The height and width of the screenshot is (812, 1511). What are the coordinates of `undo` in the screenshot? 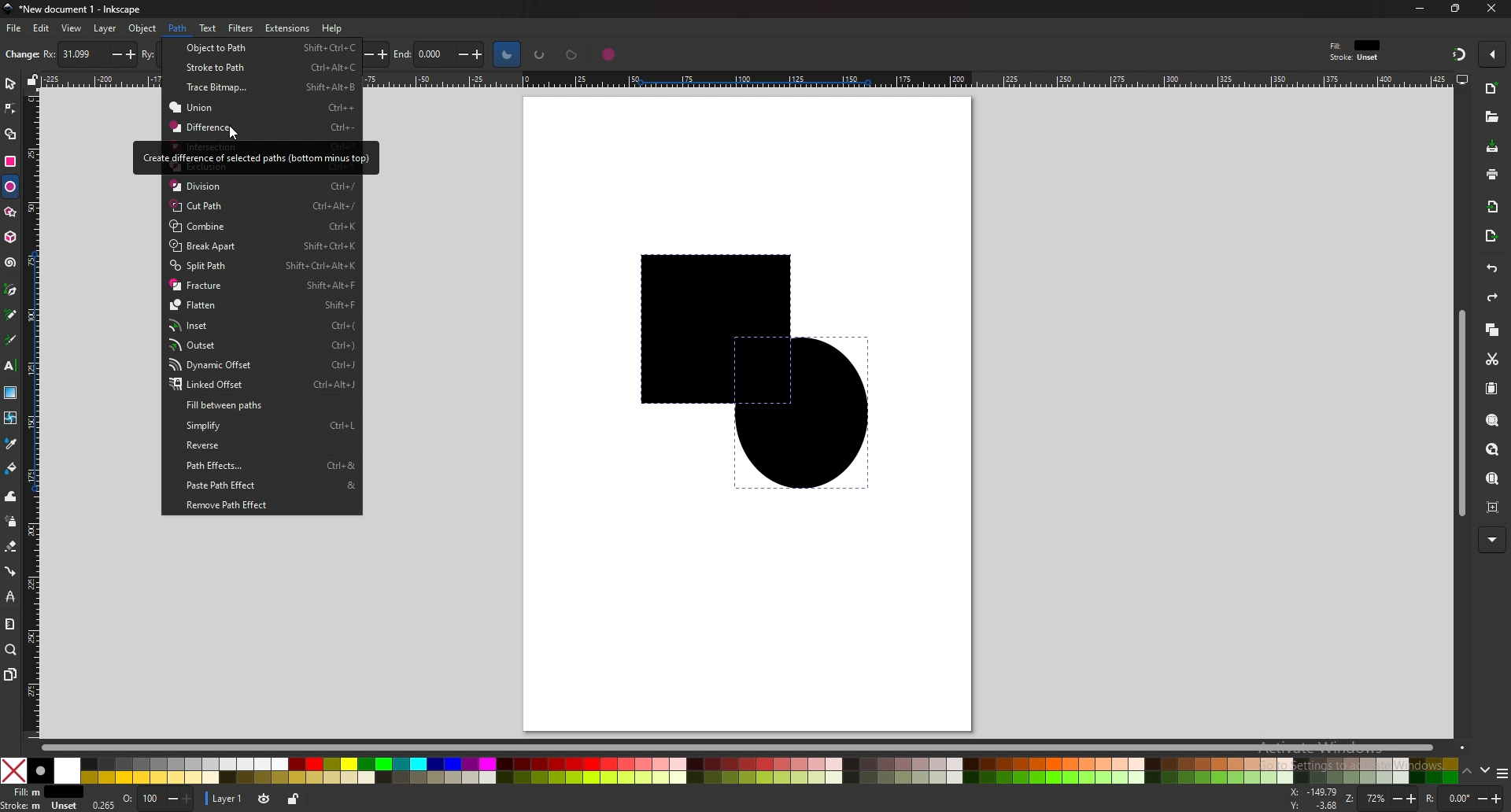 It's located at (1491, 269).